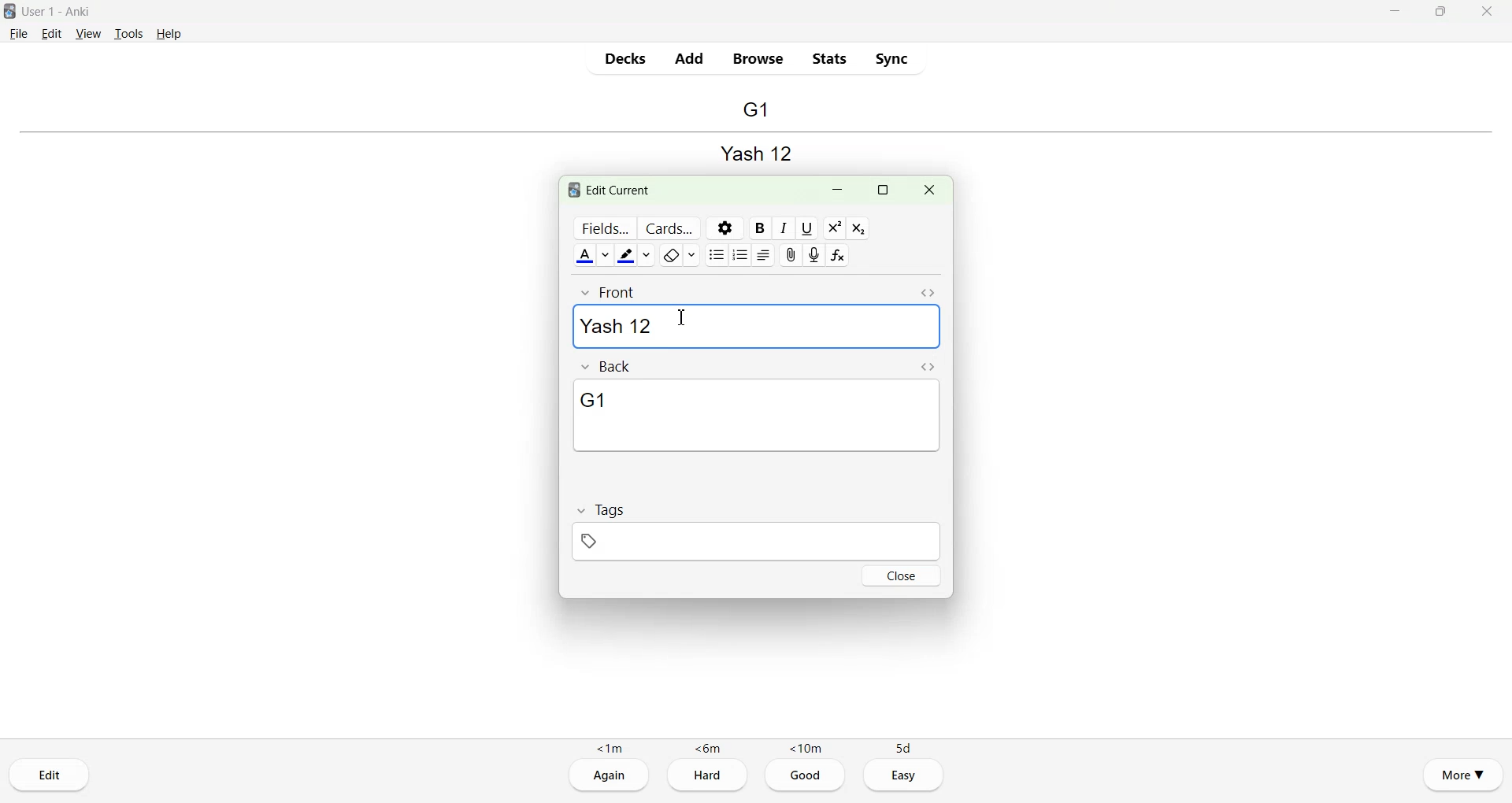 The width and height of the screenshot is (1512, 803). Describe the element at coordinates (19, 32) in the screenshot. I see `File` at that location.